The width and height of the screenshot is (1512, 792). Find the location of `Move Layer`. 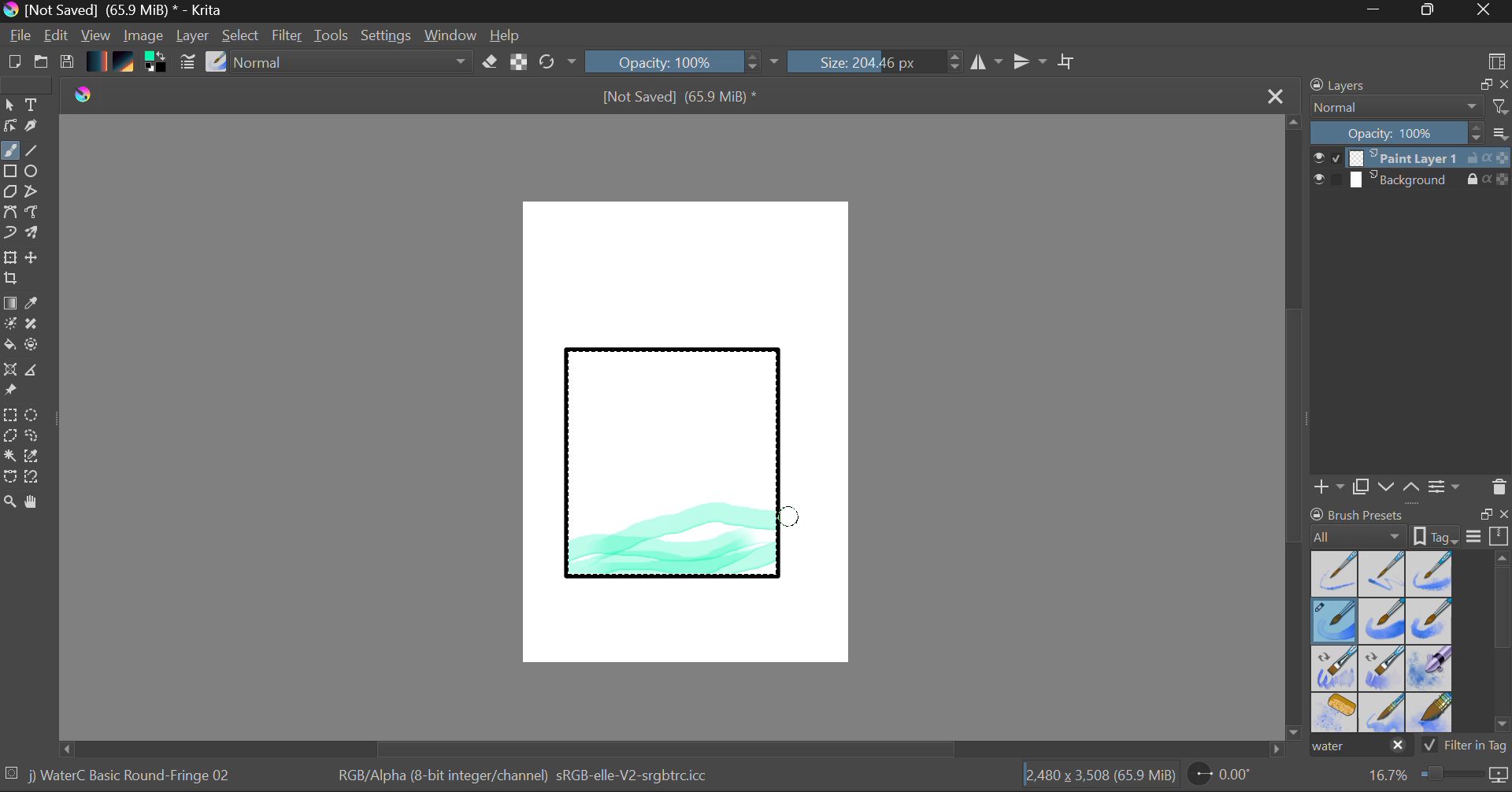

Move Layer is located at coordinates (33, 257).